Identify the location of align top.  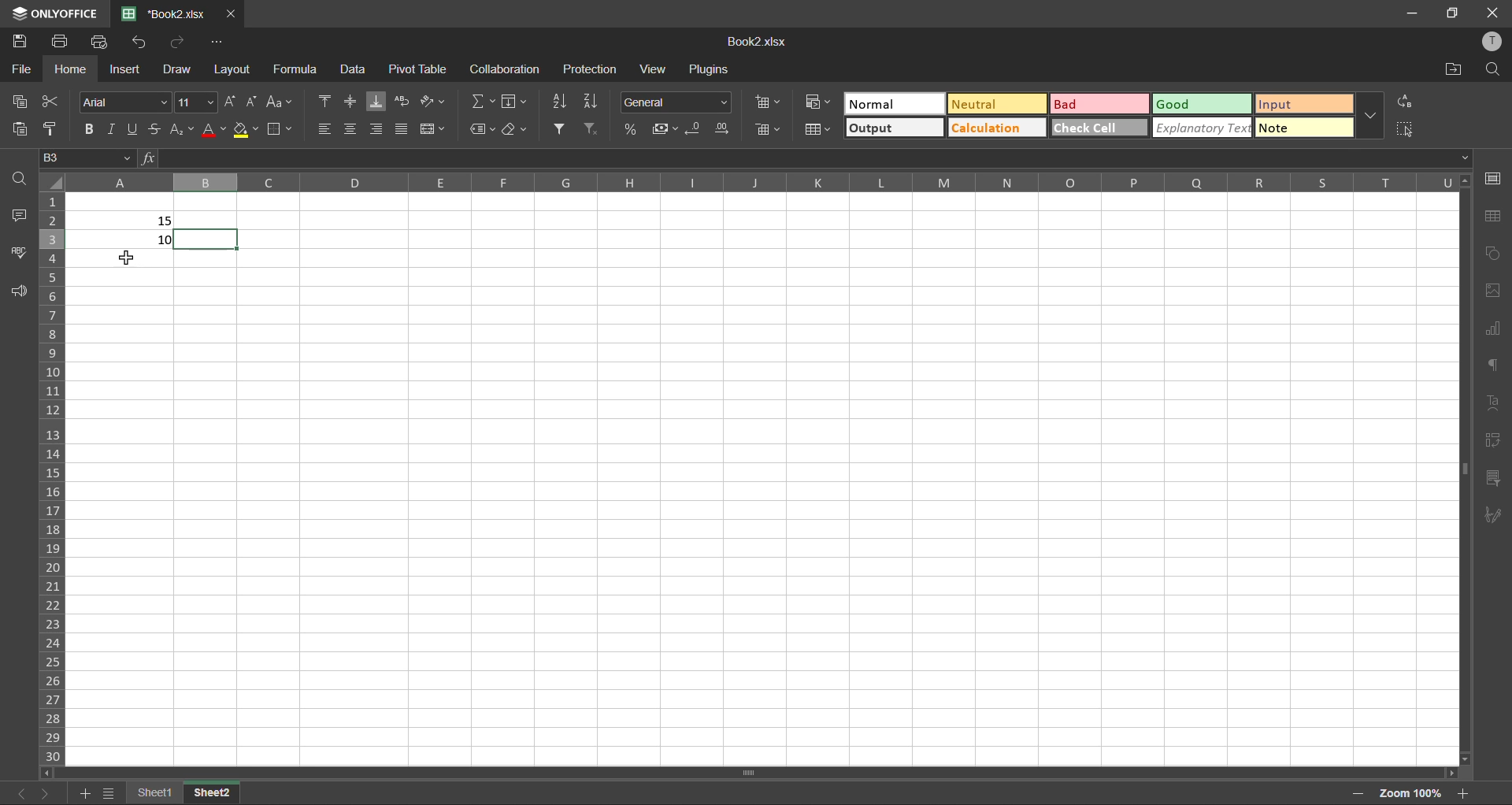
(325, 101).